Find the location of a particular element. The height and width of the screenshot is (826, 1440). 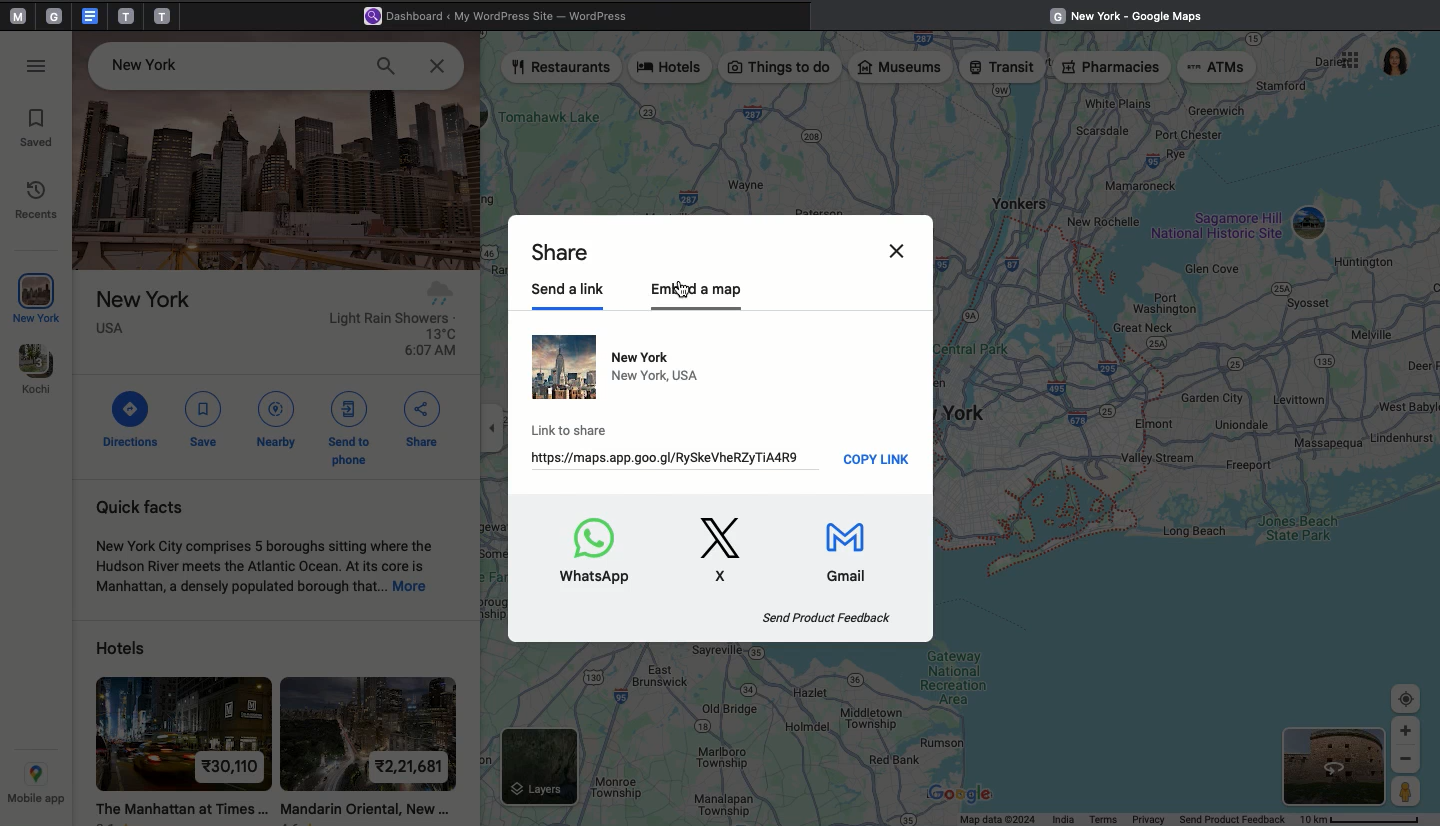

Zoom In is located at coordinates (1406, 731).